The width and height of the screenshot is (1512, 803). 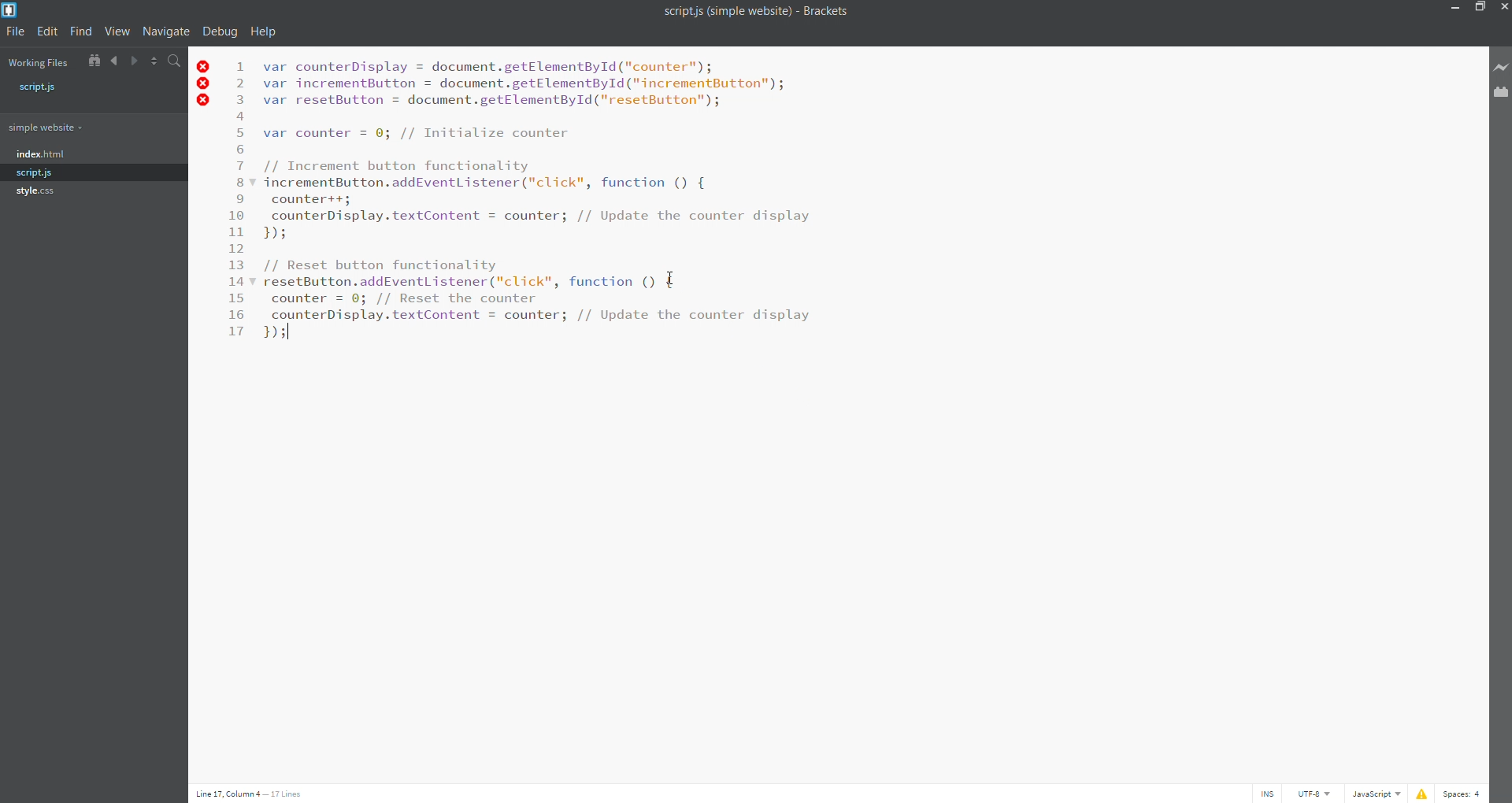 What do you see at coordinates (266, 793) in the screenshot?
I see `cursor position` at bounding box center [266, 793].